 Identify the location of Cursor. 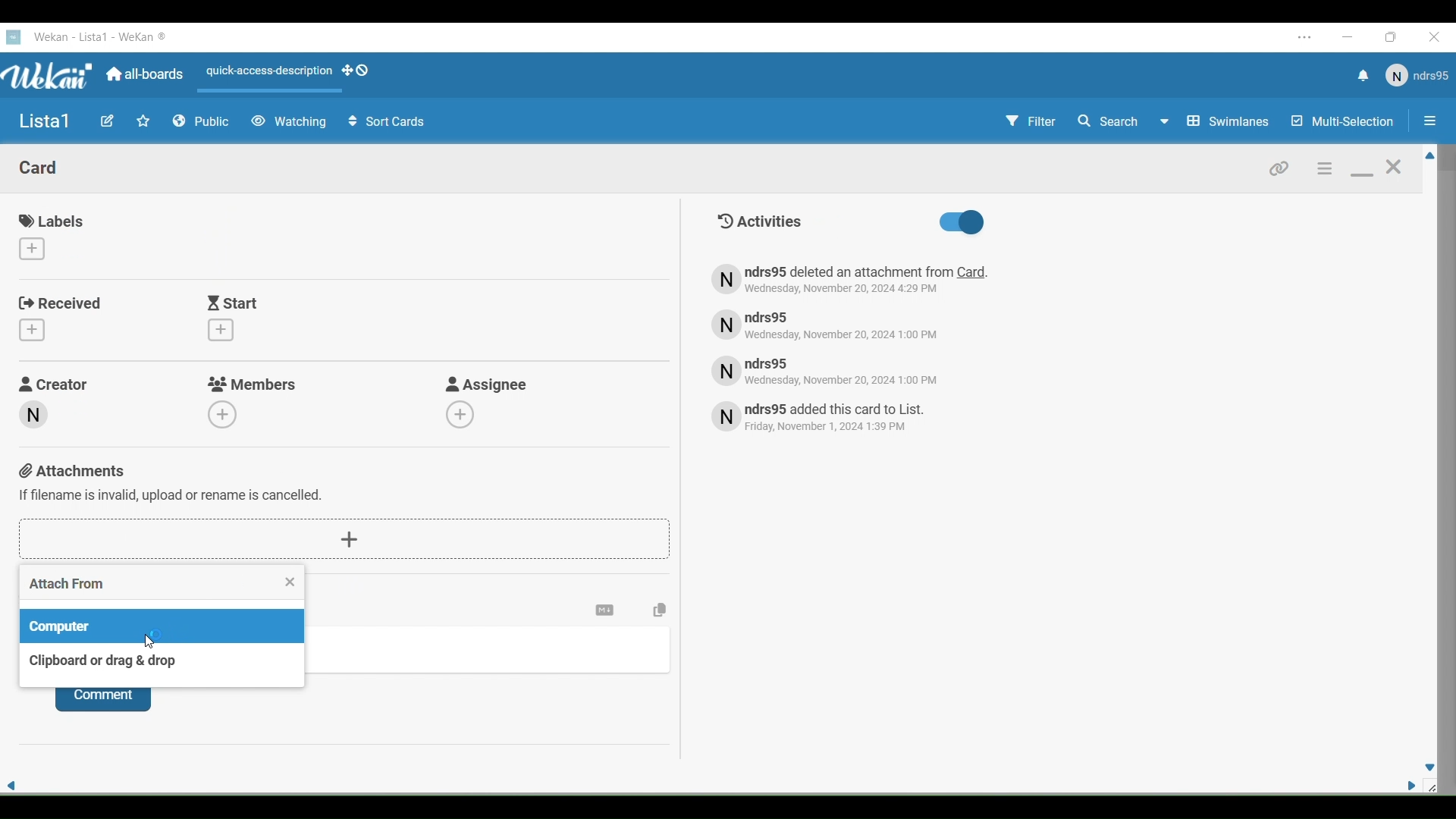
(150, 642).